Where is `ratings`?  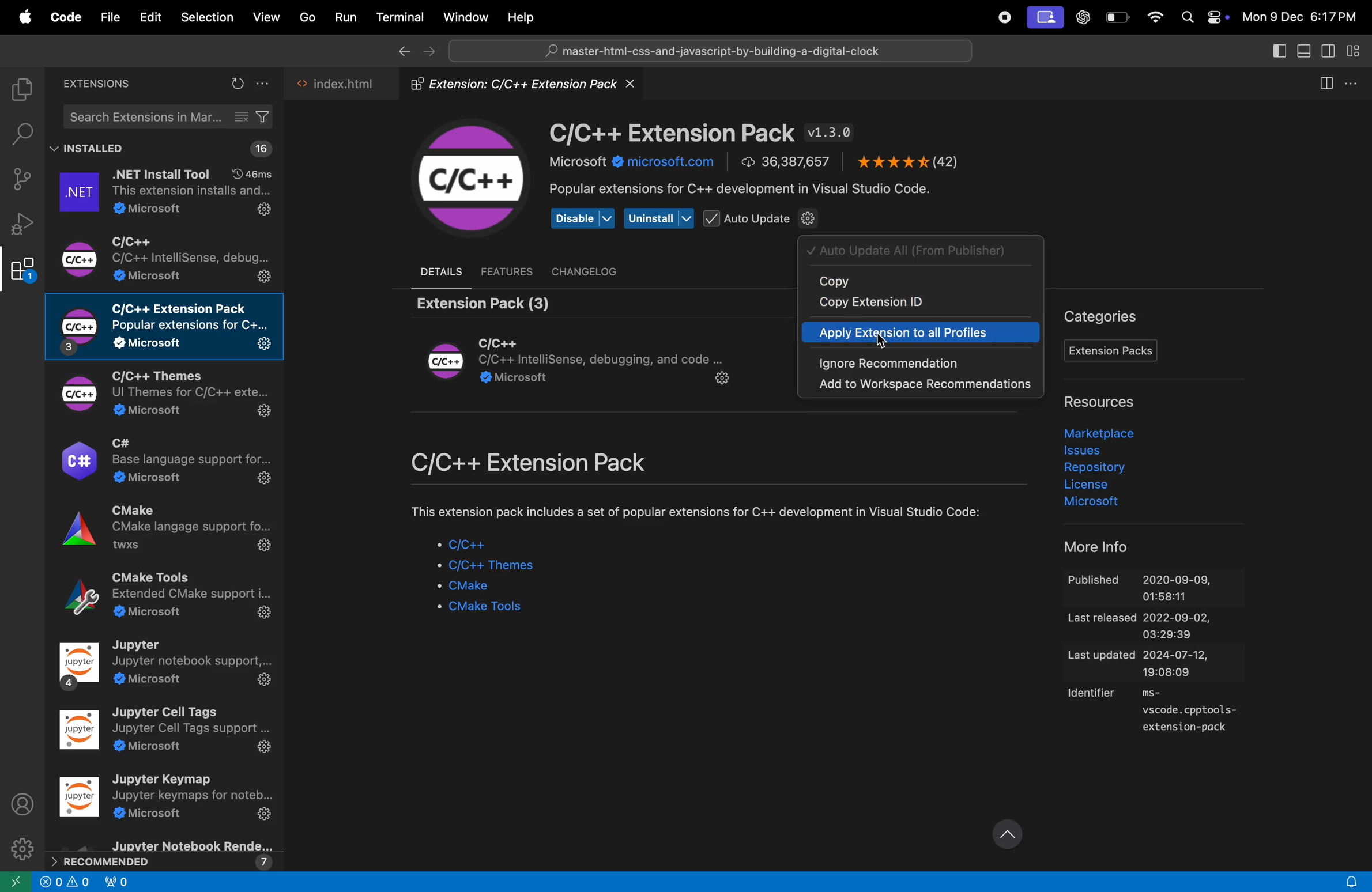
ratings is located at coordinates (906, 164).